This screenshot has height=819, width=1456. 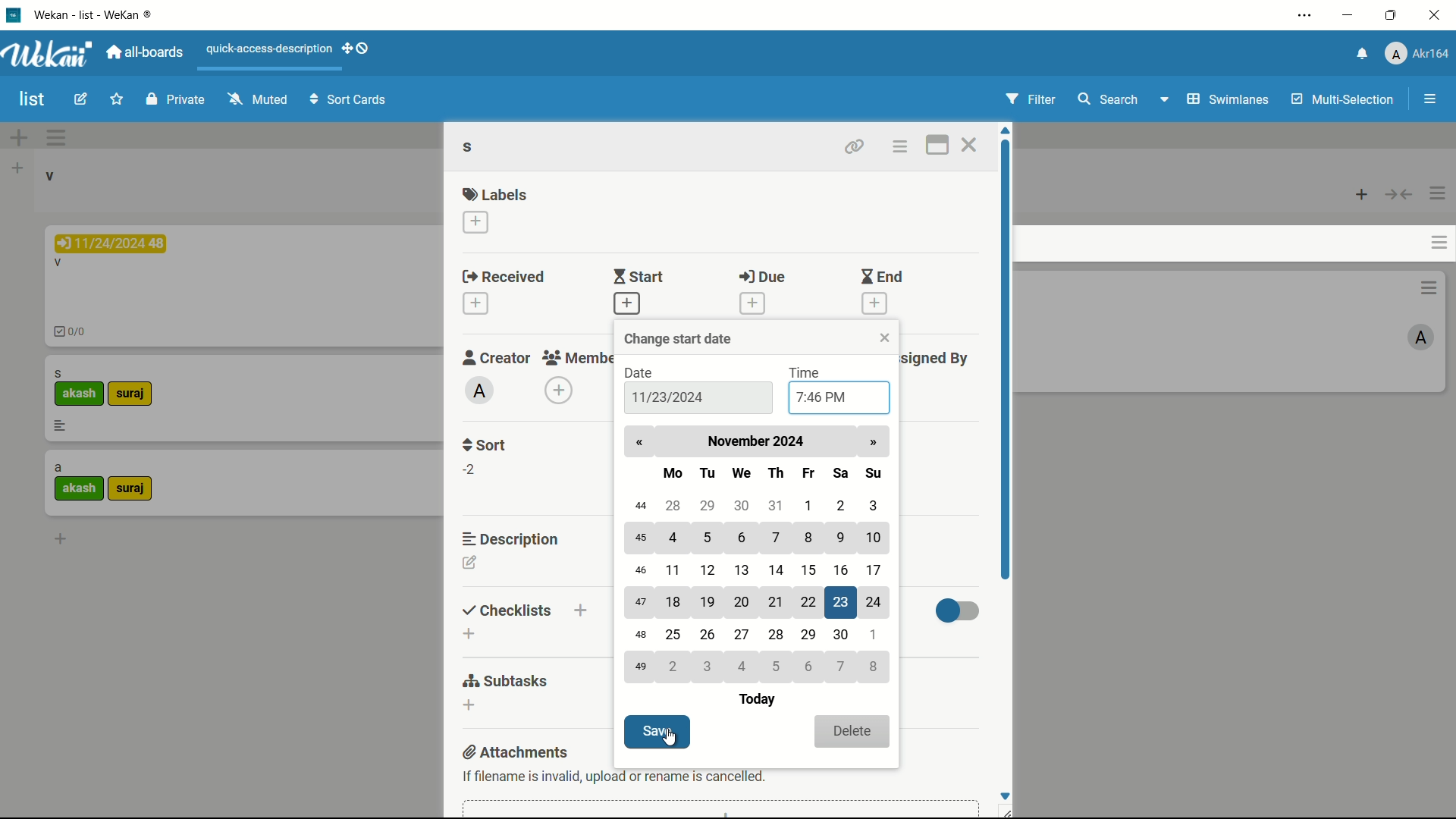 What do you see at coordinates (876, 305) in the screenshot?
I see `add end date` at bounding box center [876, 305].